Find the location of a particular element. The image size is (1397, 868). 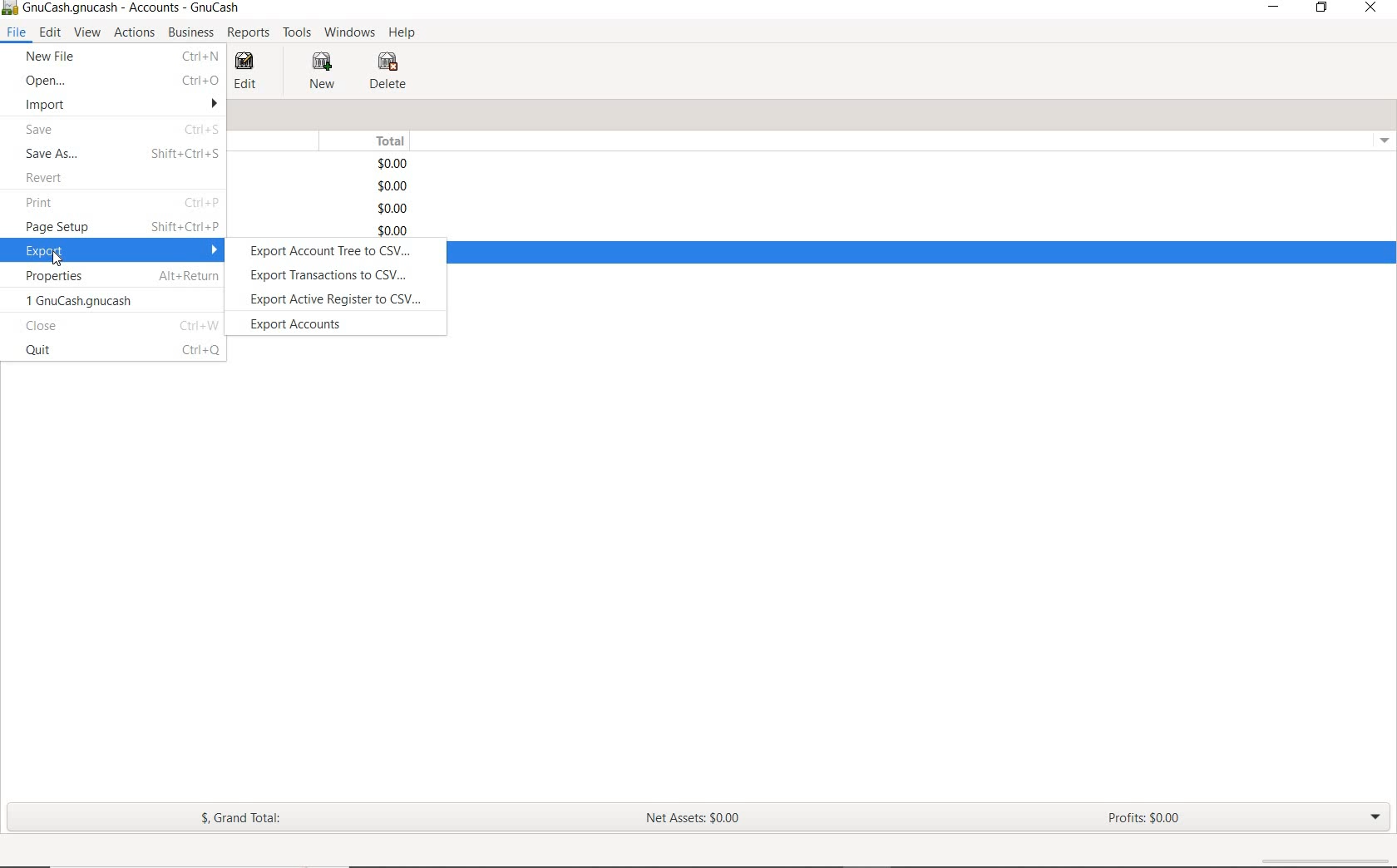

Alt+Return is located at coordinates (190, 274).